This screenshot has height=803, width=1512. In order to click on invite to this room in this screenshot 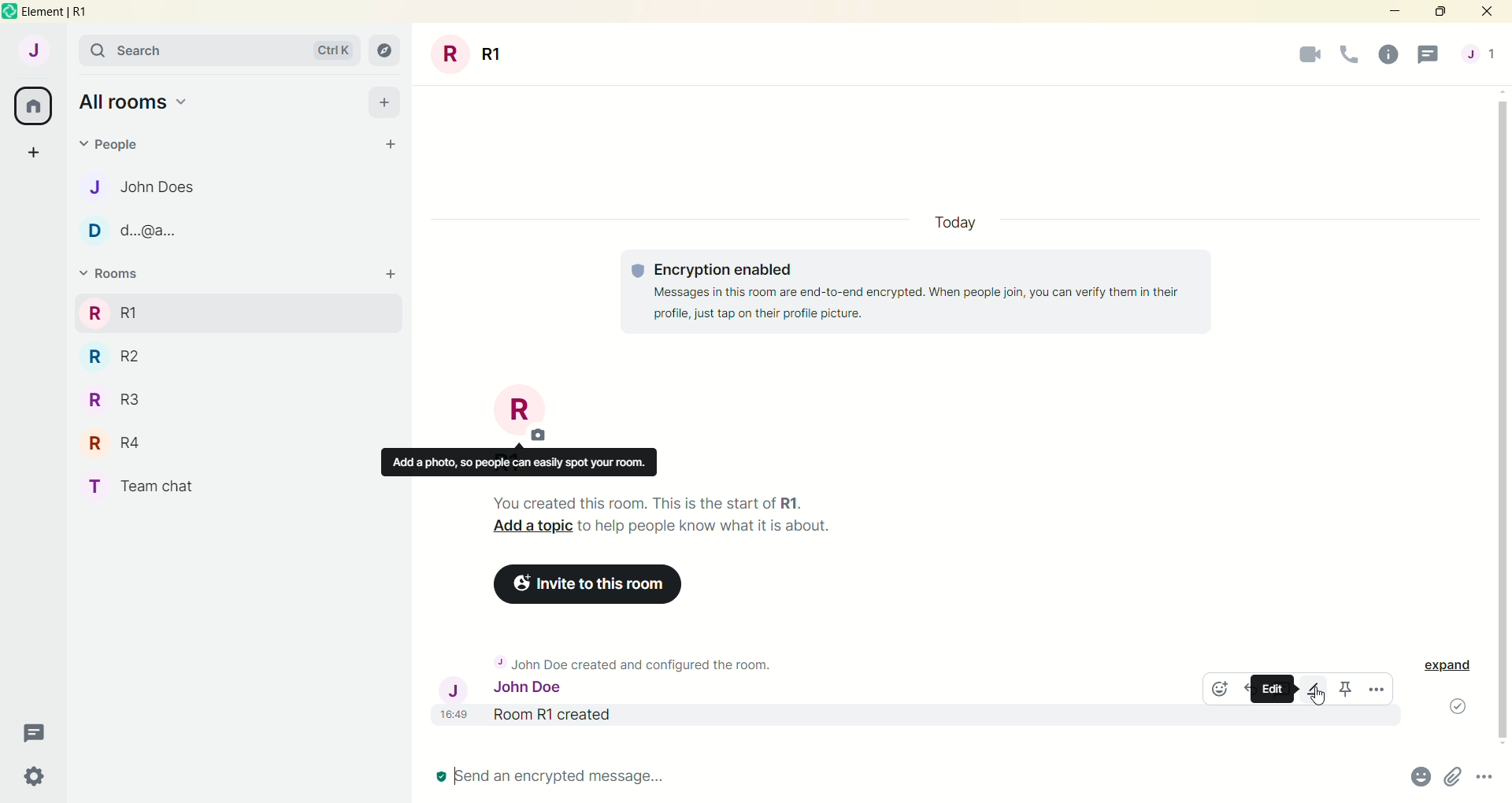, I will do `click(582, 581)`.